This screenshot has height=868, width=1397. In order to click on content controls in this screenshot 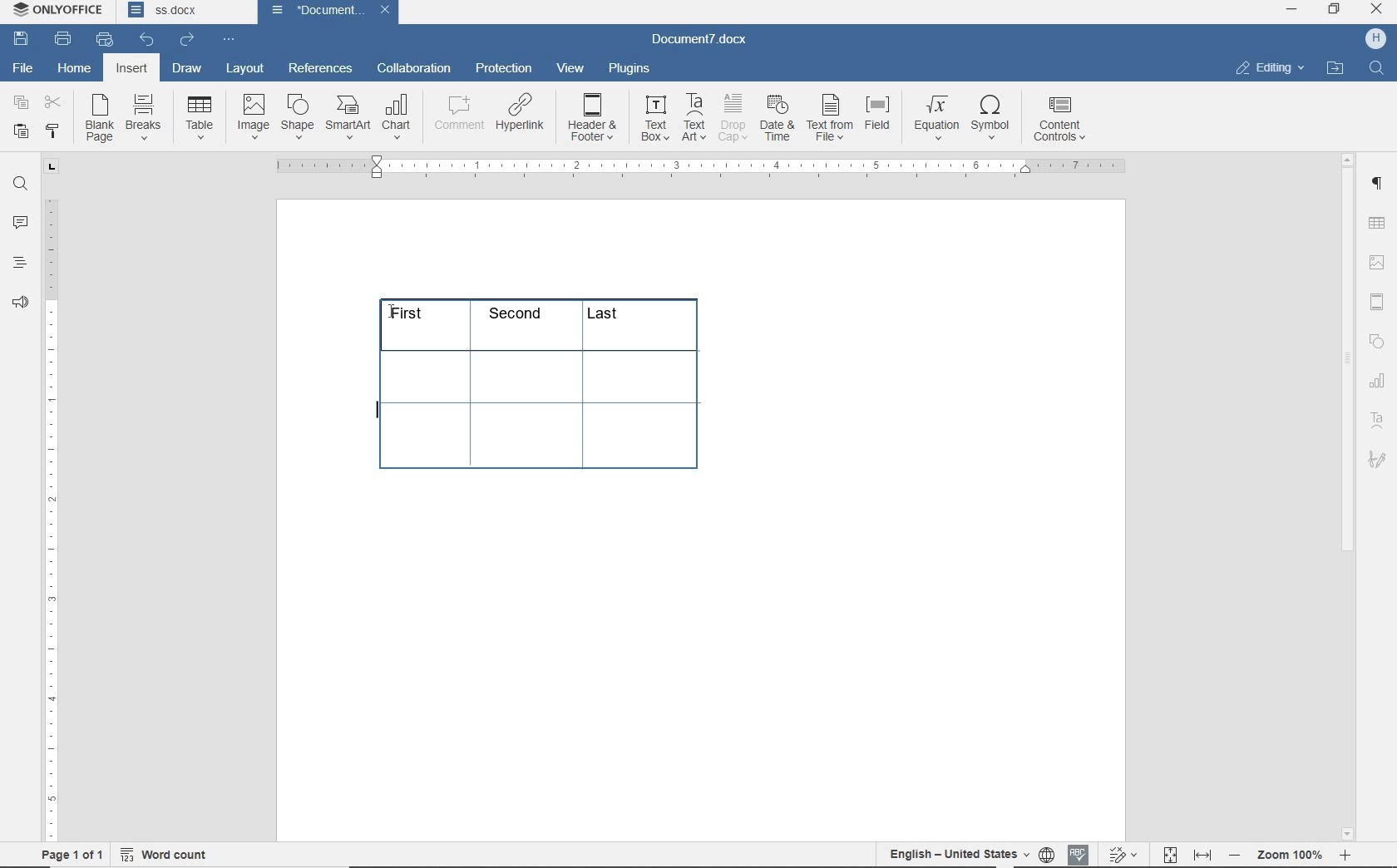, I will do `click(1063, 121)`.